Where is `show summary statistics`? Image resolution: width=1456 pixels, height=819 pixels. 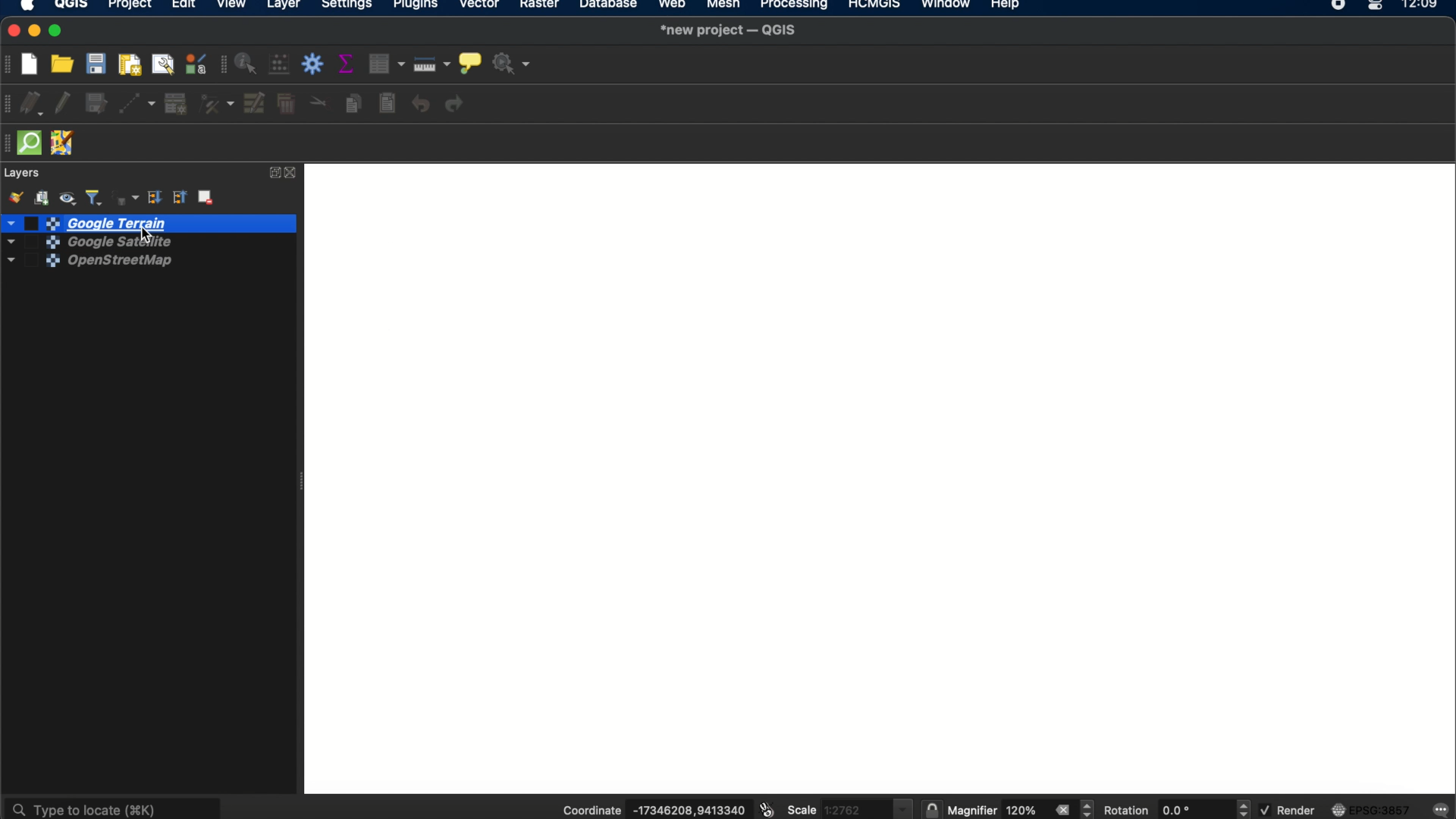
show summary statistics is located at coordinates (349, 64).